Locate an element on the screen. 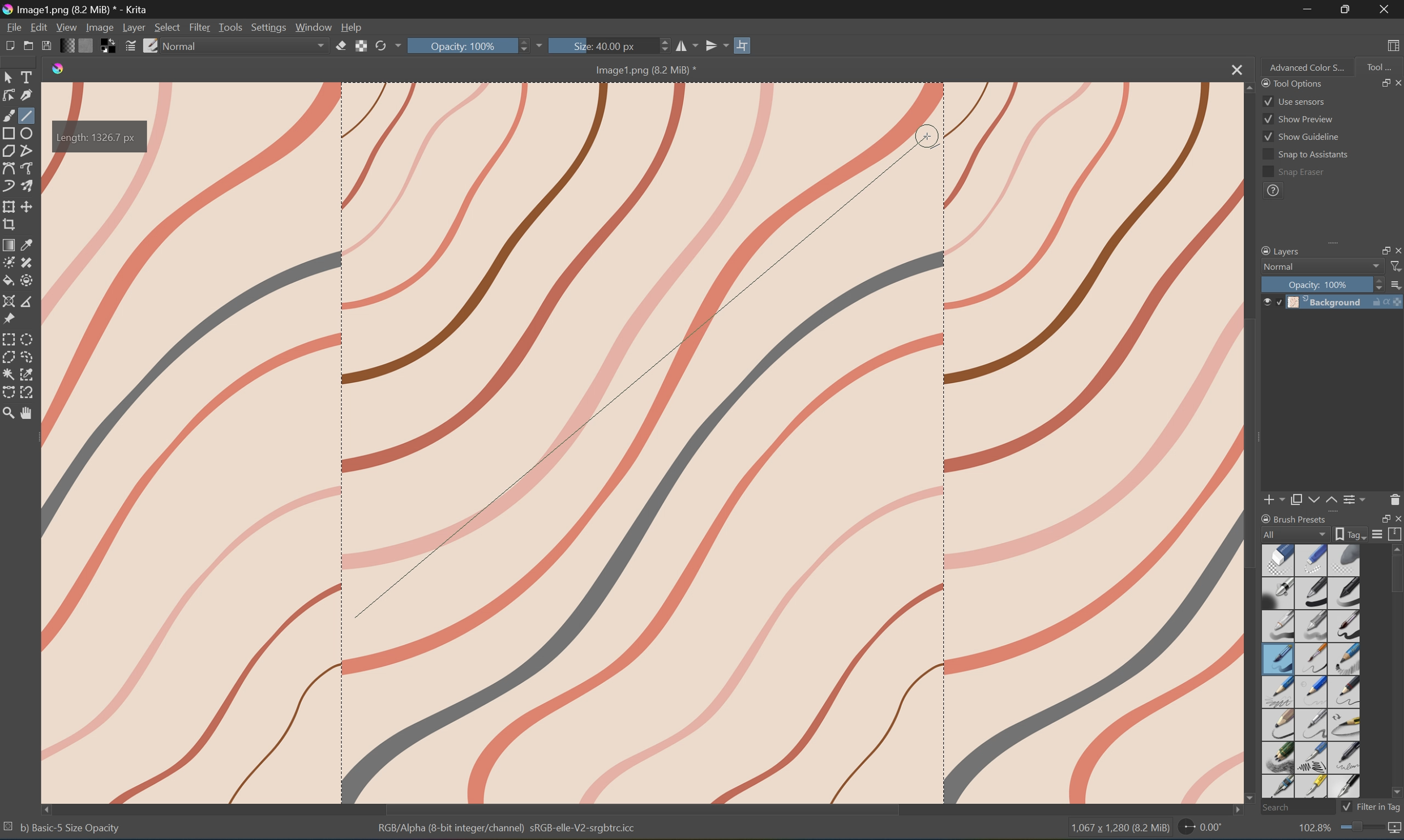 This screenshot has width=1404, height=840. Elliptical selection tool is located at coordinates (30, 338).